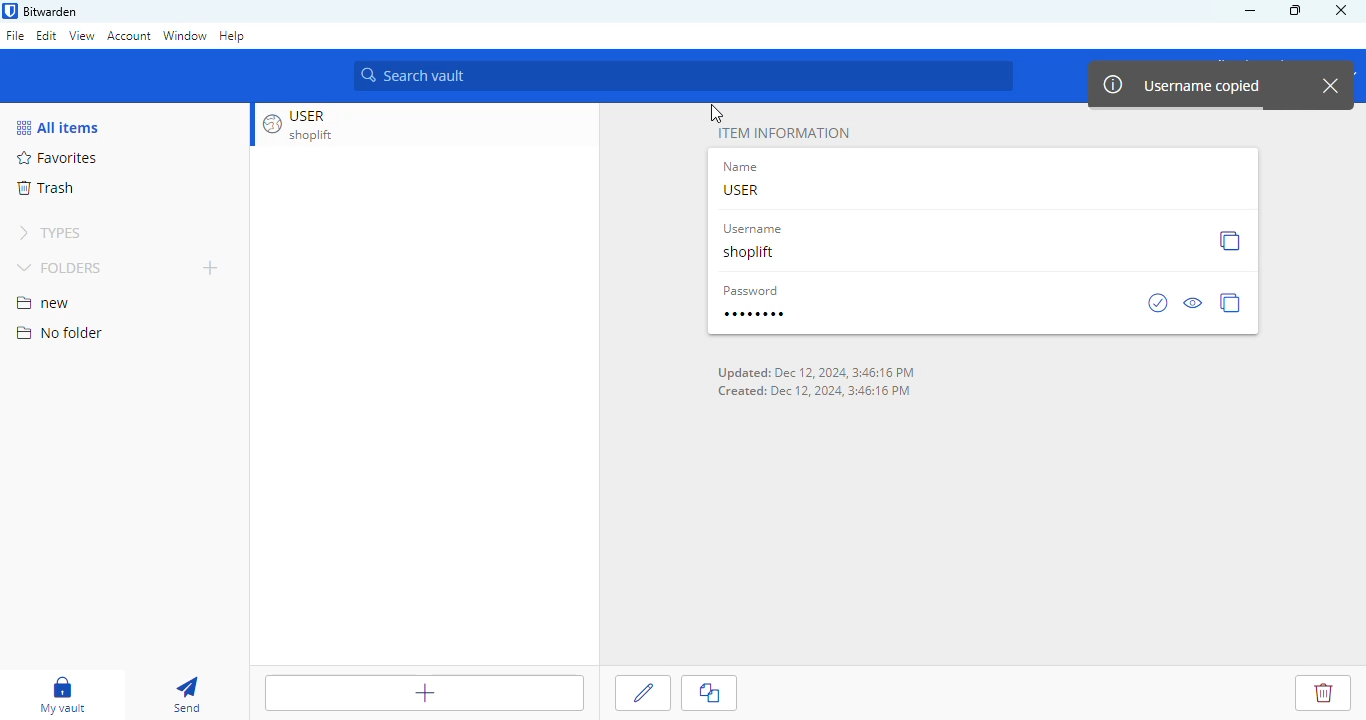 The height and width of the screenshot is (720, 1366). I want to click on add folder, so click(211, 267).